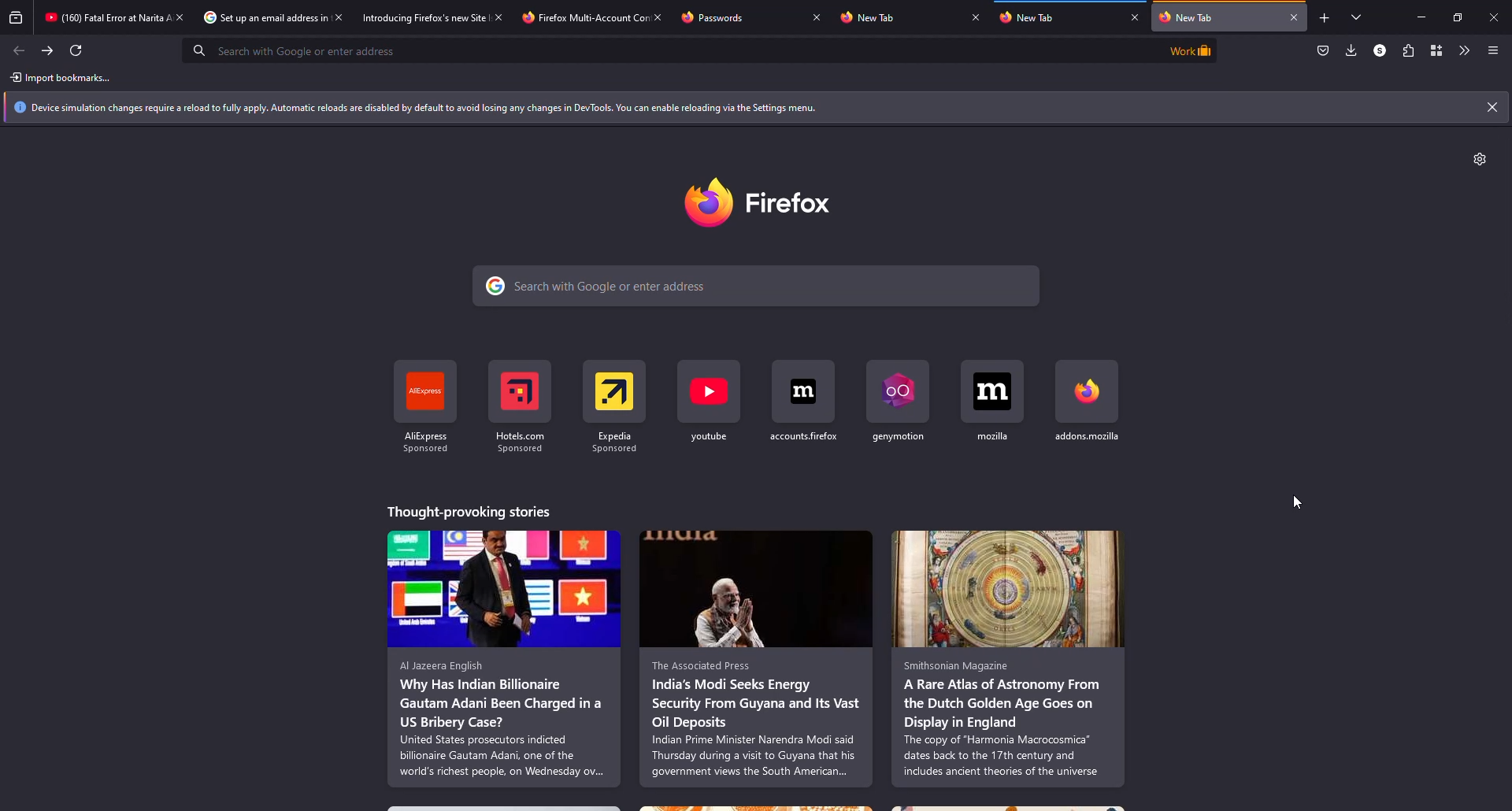  What do you see at coordinates (666, 50) in the screenshot?
I see `search box` at bounding box center [666, 50].